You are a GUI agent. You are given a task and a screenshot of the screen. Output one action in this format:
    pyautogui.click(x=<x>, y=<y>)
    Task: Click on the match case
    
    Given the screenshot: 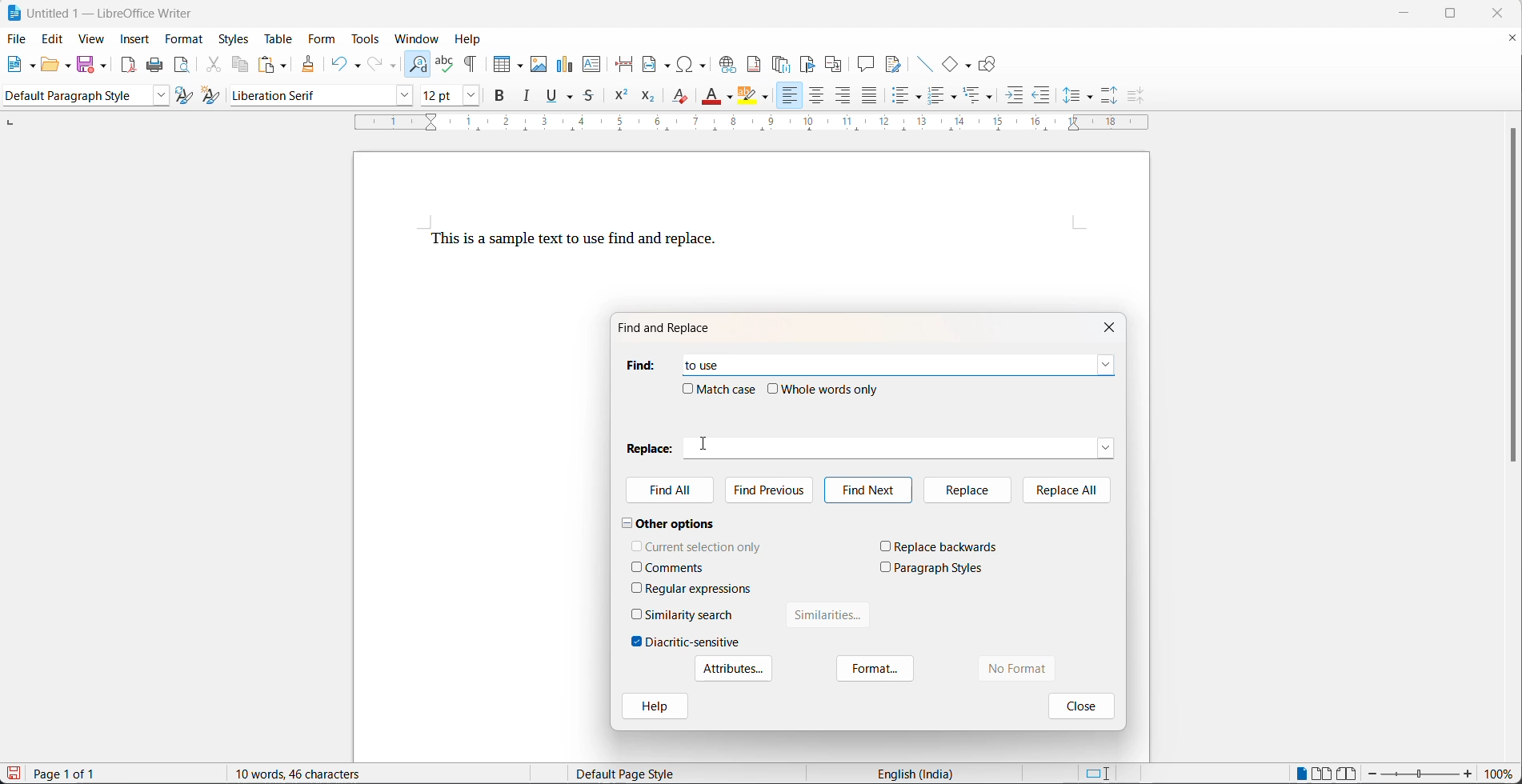 What is the action you would take?
    pyautogui.click(x=728, y=389)
    